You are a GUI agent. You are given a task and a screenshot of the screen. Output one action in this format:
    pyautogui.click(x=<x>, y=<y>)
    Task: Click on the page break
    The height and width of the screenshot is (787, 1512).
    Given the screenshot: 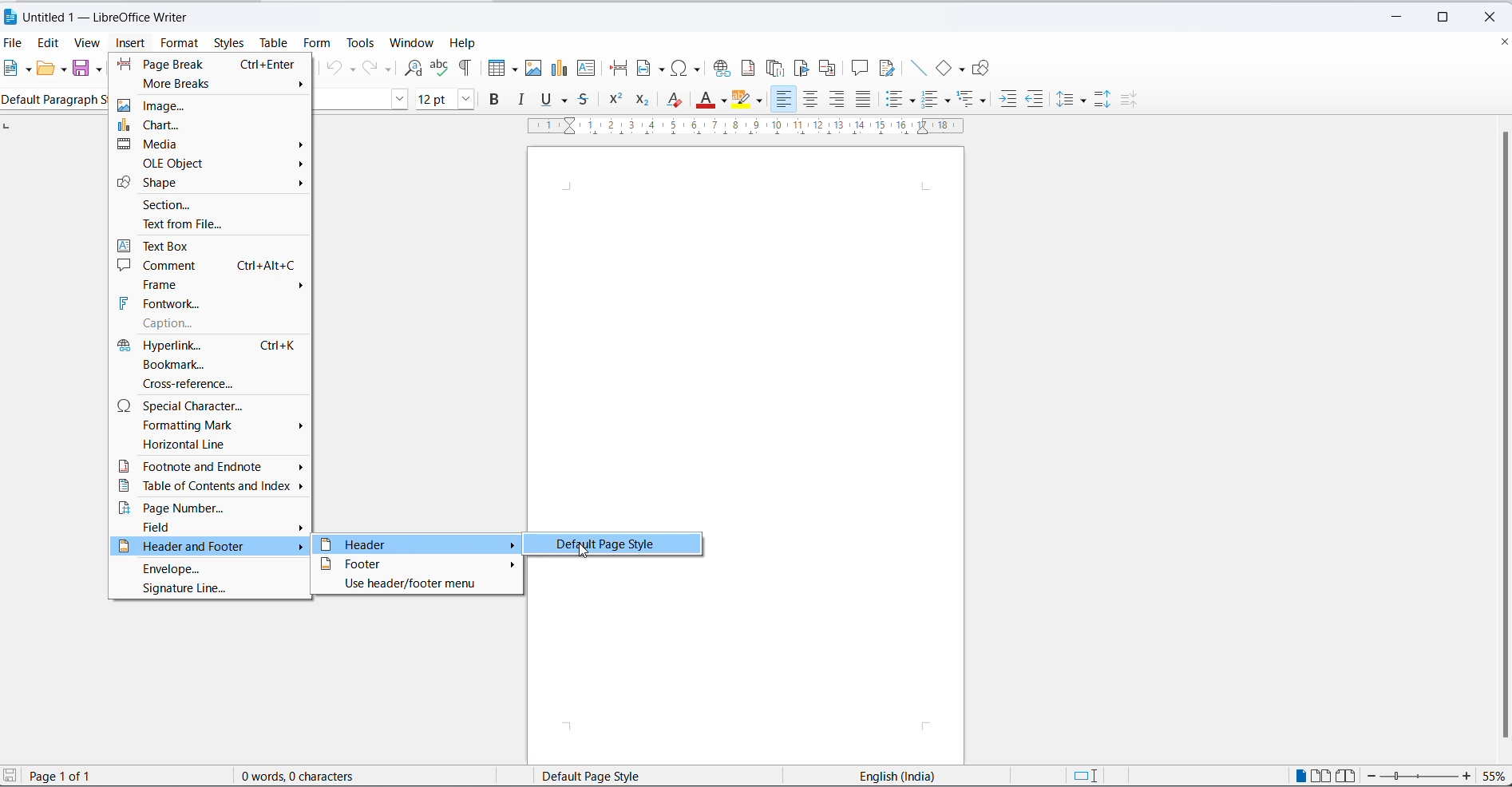 What is the action you would take?
    pyautogui.click(x=618, y=69)
    